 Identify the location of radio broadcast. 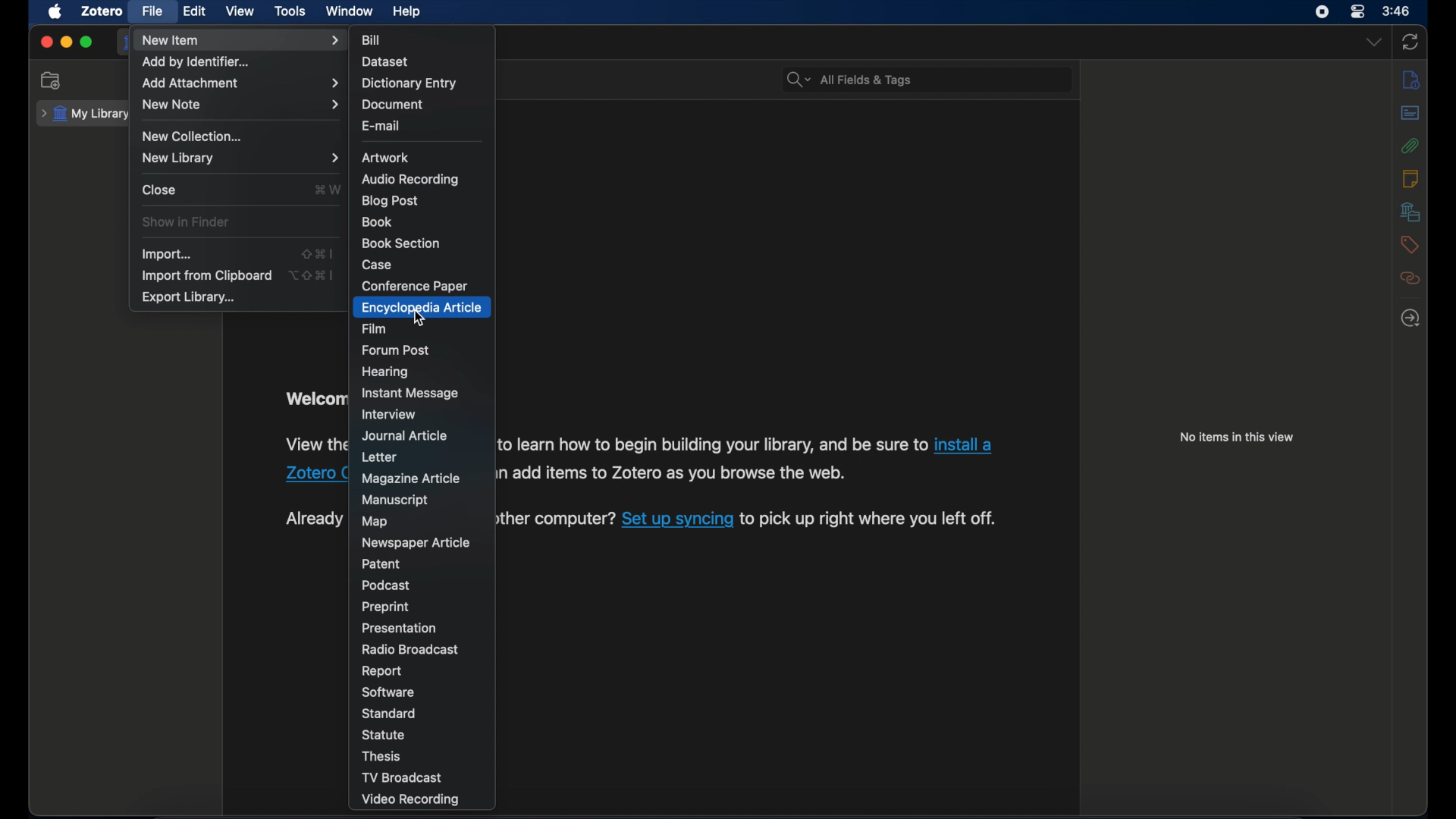
(413, 649).